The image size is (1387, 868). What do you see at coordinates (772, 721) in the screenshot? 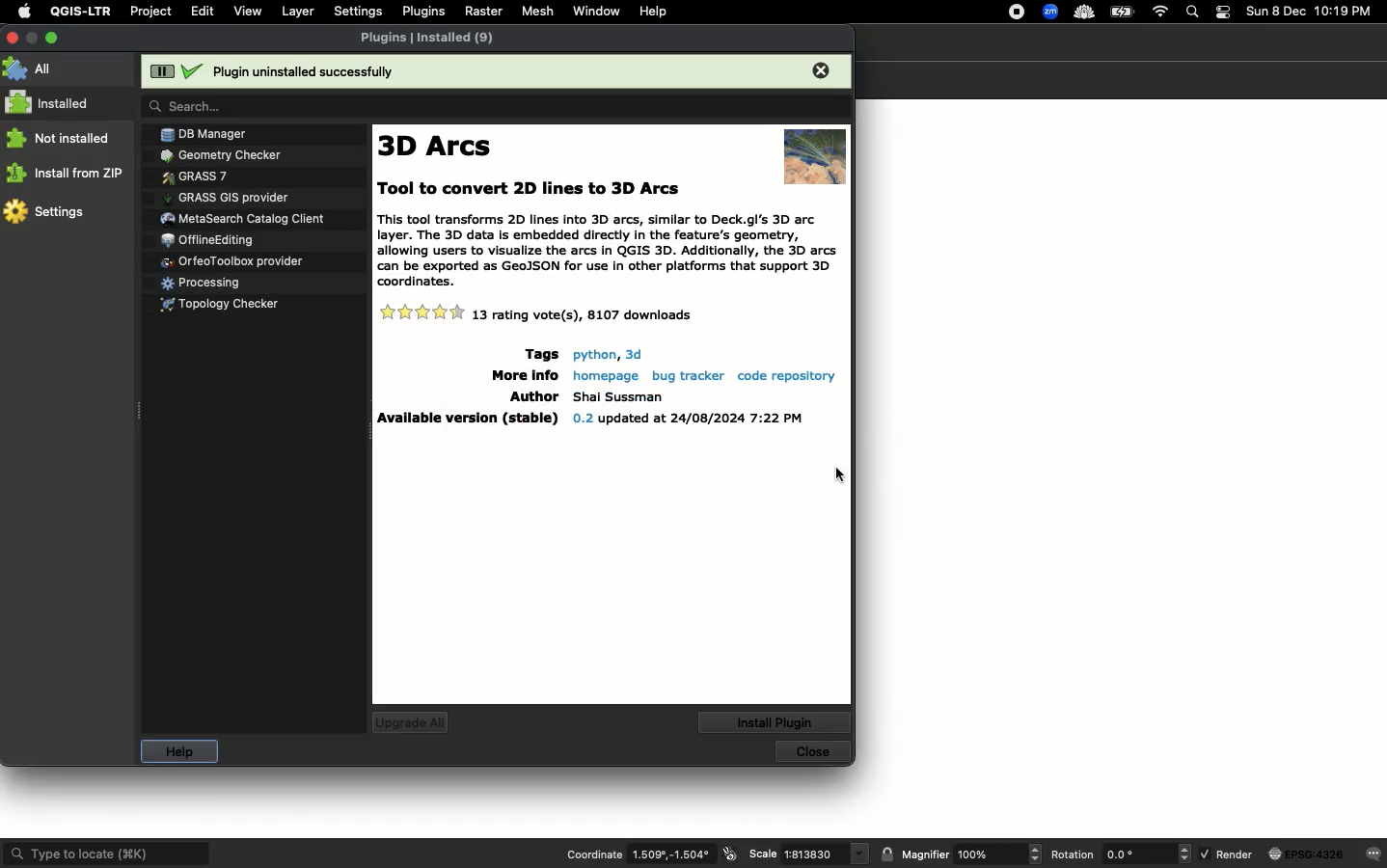
I see `Install plugin` at bounding box center [772, 721].